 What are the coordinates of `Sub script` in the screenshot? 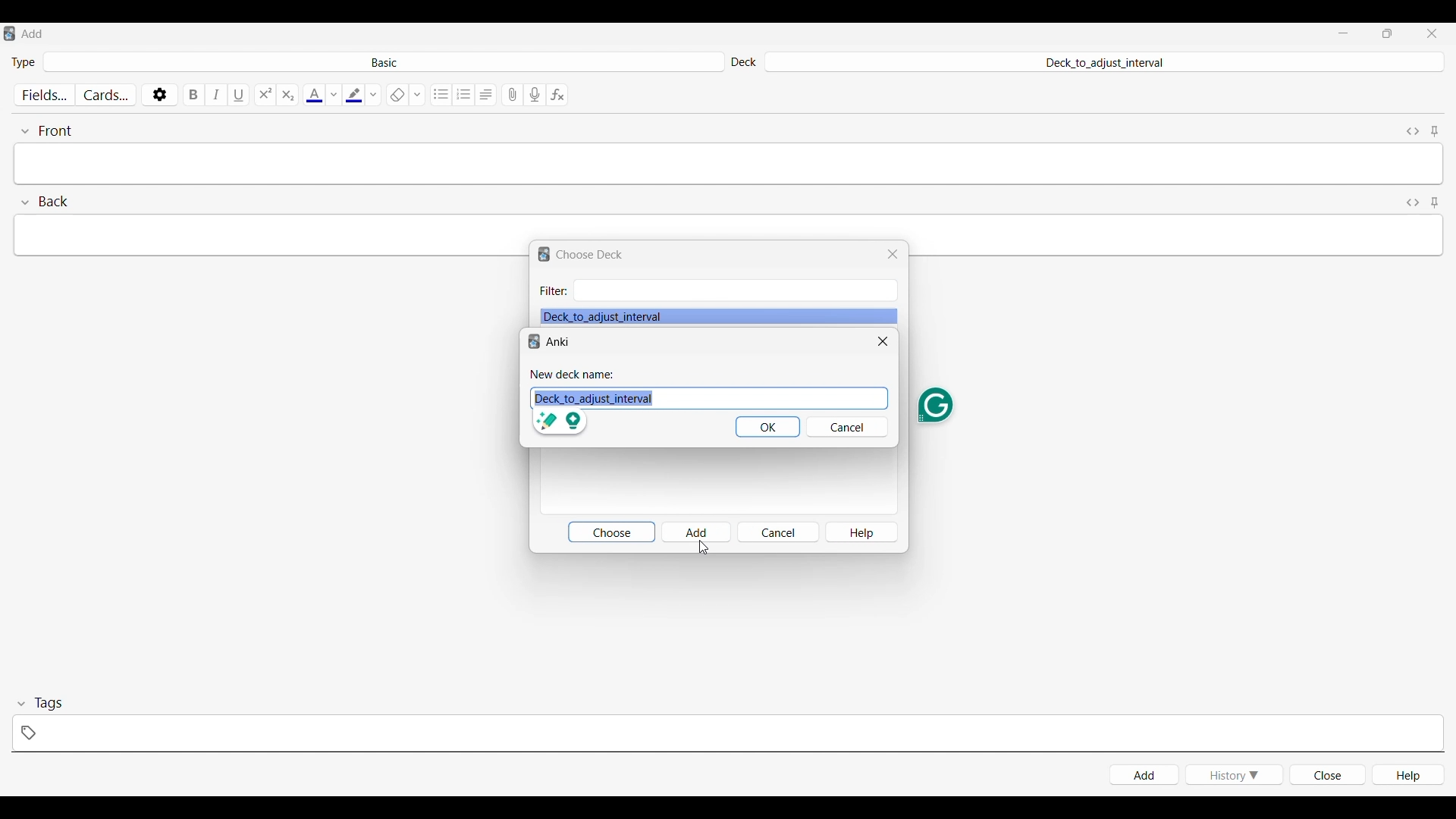 It's located at (287, 95).